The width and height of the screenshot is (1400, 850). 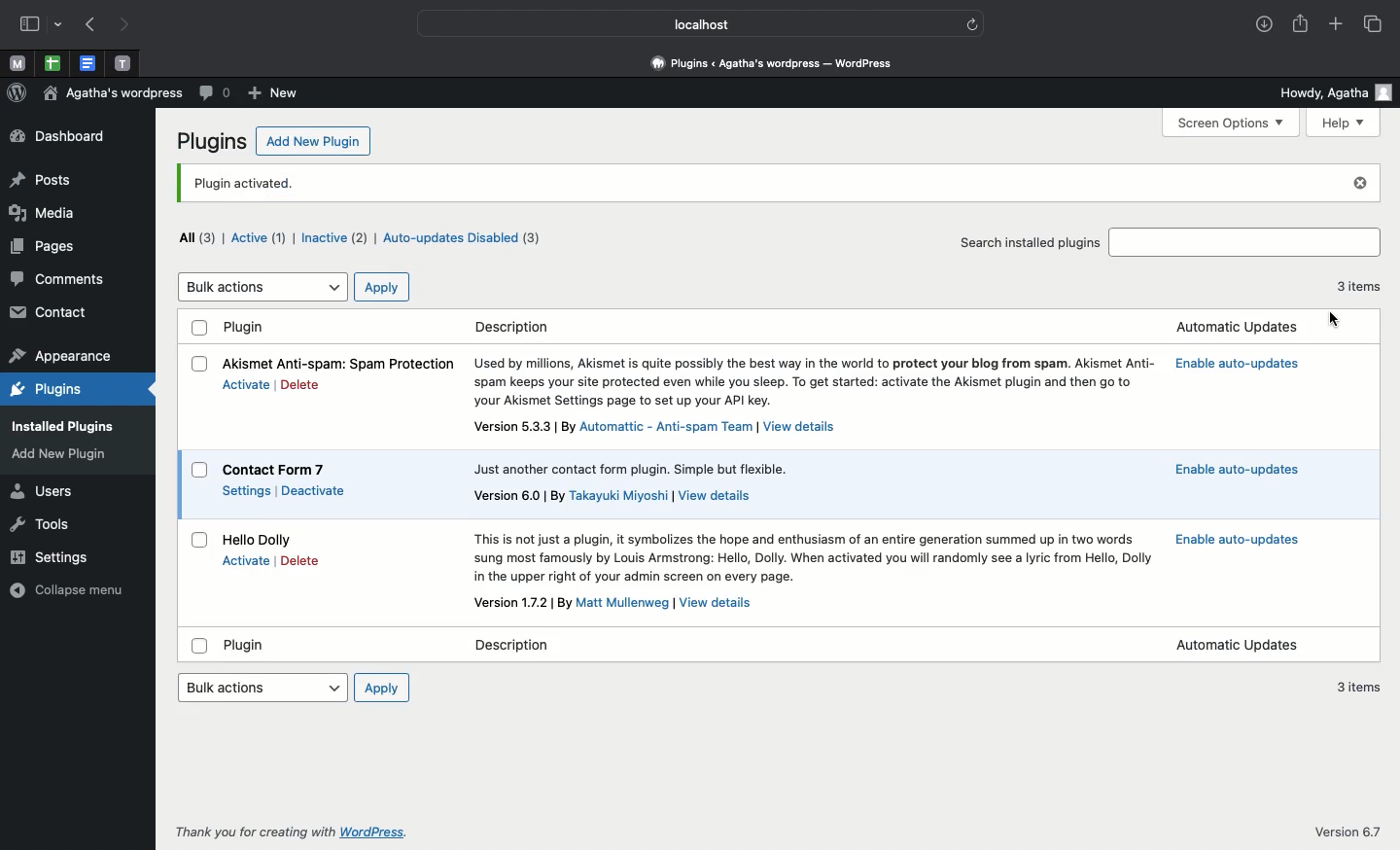 I want to click on Localhost, so click(x=688, y=23).